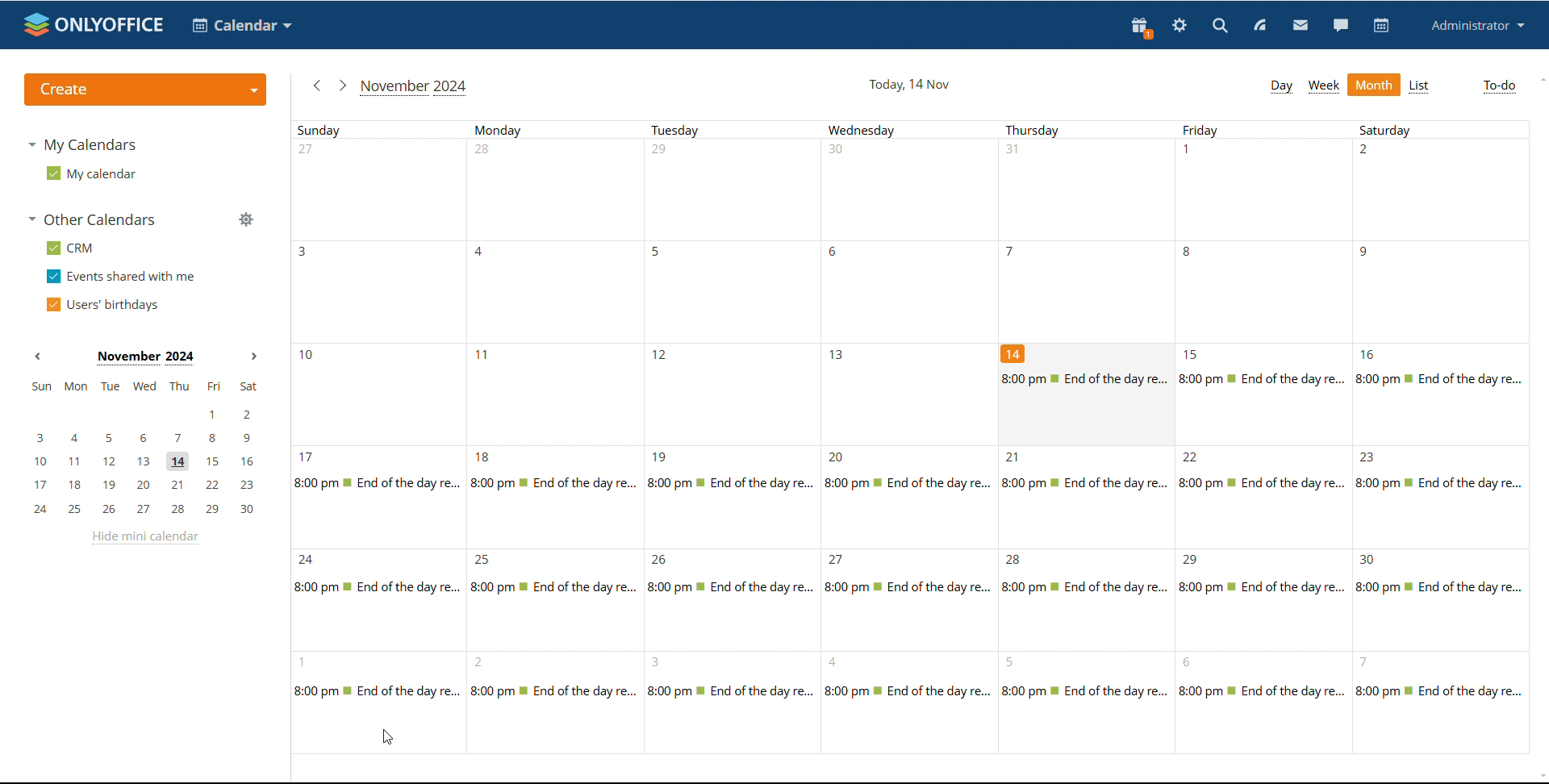 Image resolution: width=1549 pixels, height=784 pixels. Describe the element at coordinates (1341, 26) in the screenshot. I see `chat` at that location.